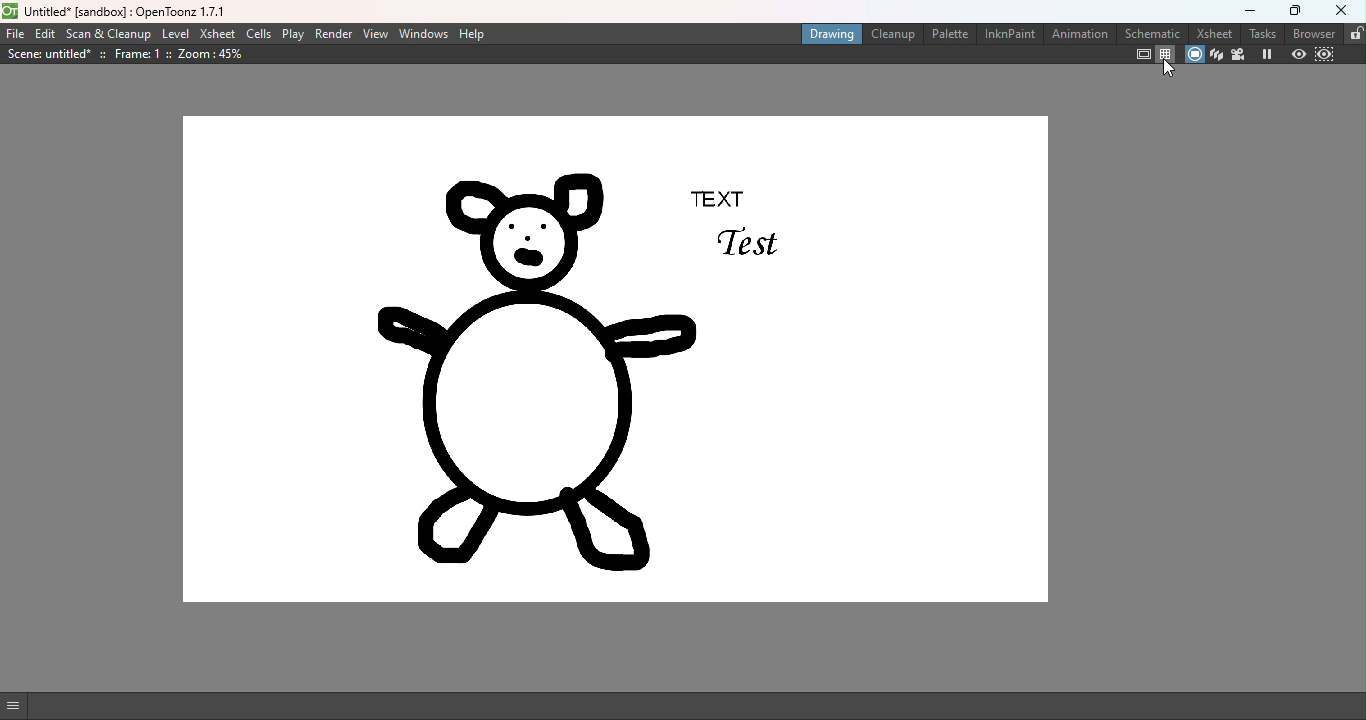 The image size is (1366, 720). Describe the element at coordinates (479, 35) in the screenshot. I see `Help` at that location.